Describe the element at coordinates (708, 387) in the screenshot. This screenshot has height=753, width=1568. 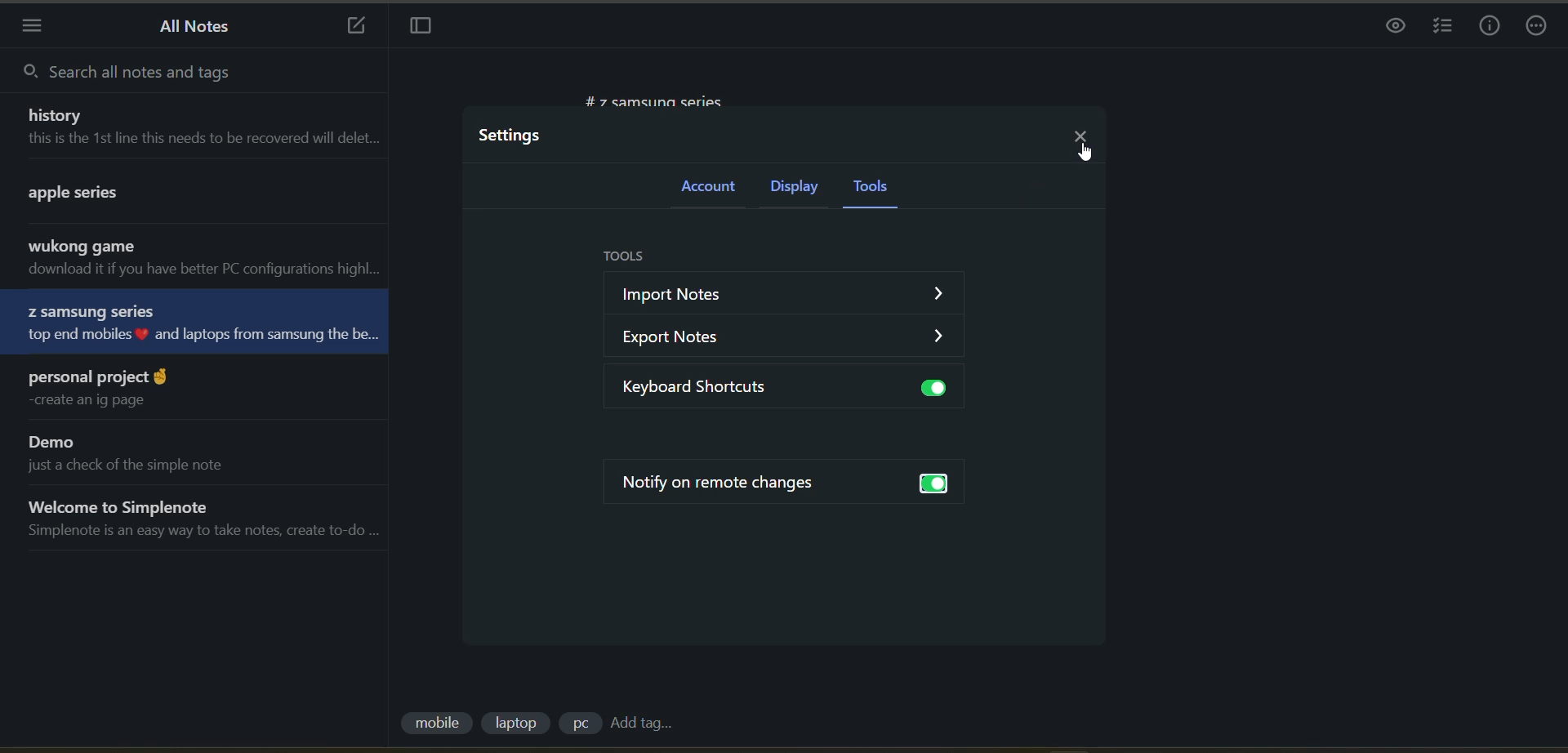
I see `keyboard shortcuts` at that location.